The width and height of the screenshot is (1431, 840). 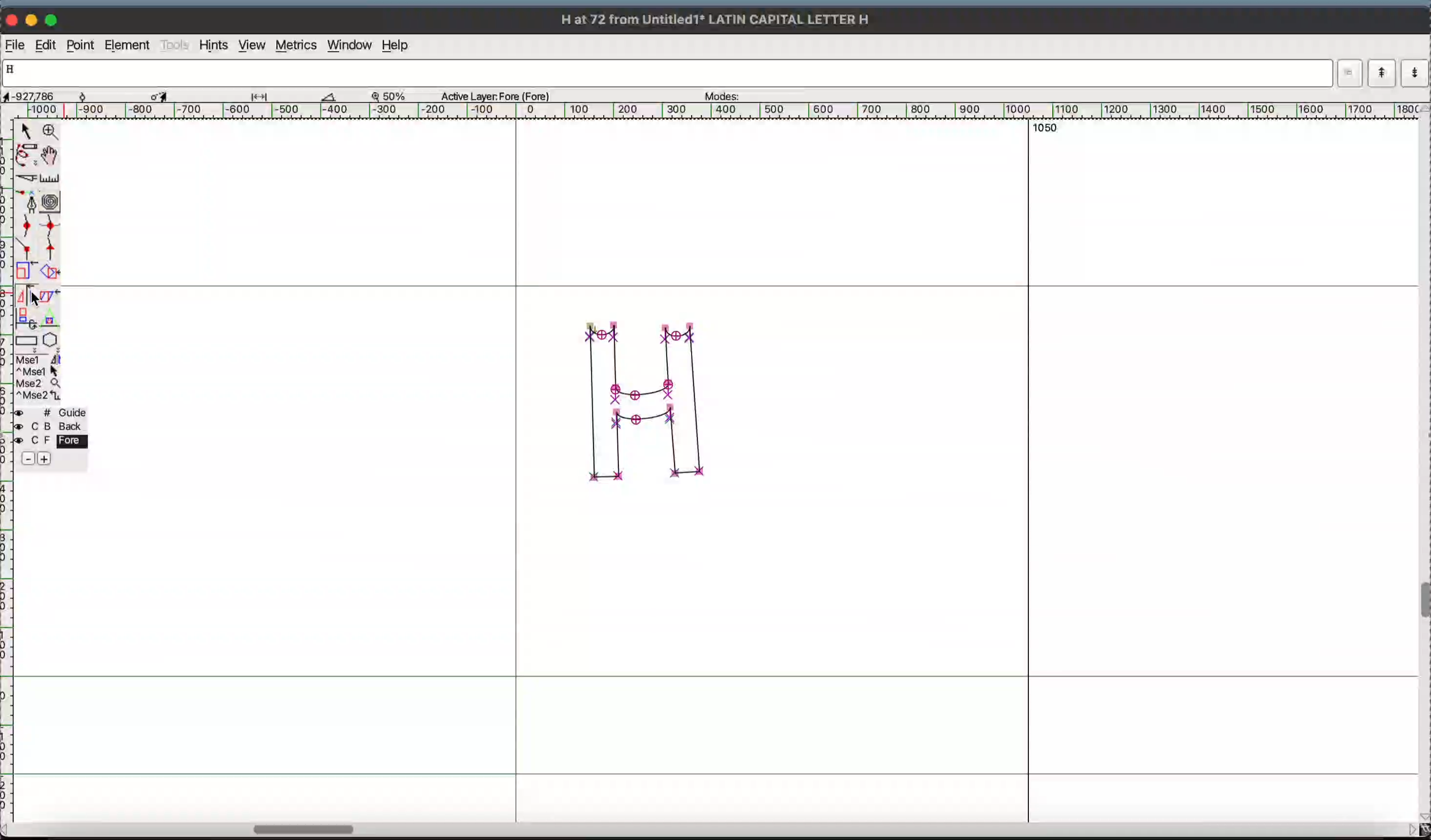 What do you see at coordinates (50, 199) in the screenshot?
I see `spiro` at bounding box center [50, 199].